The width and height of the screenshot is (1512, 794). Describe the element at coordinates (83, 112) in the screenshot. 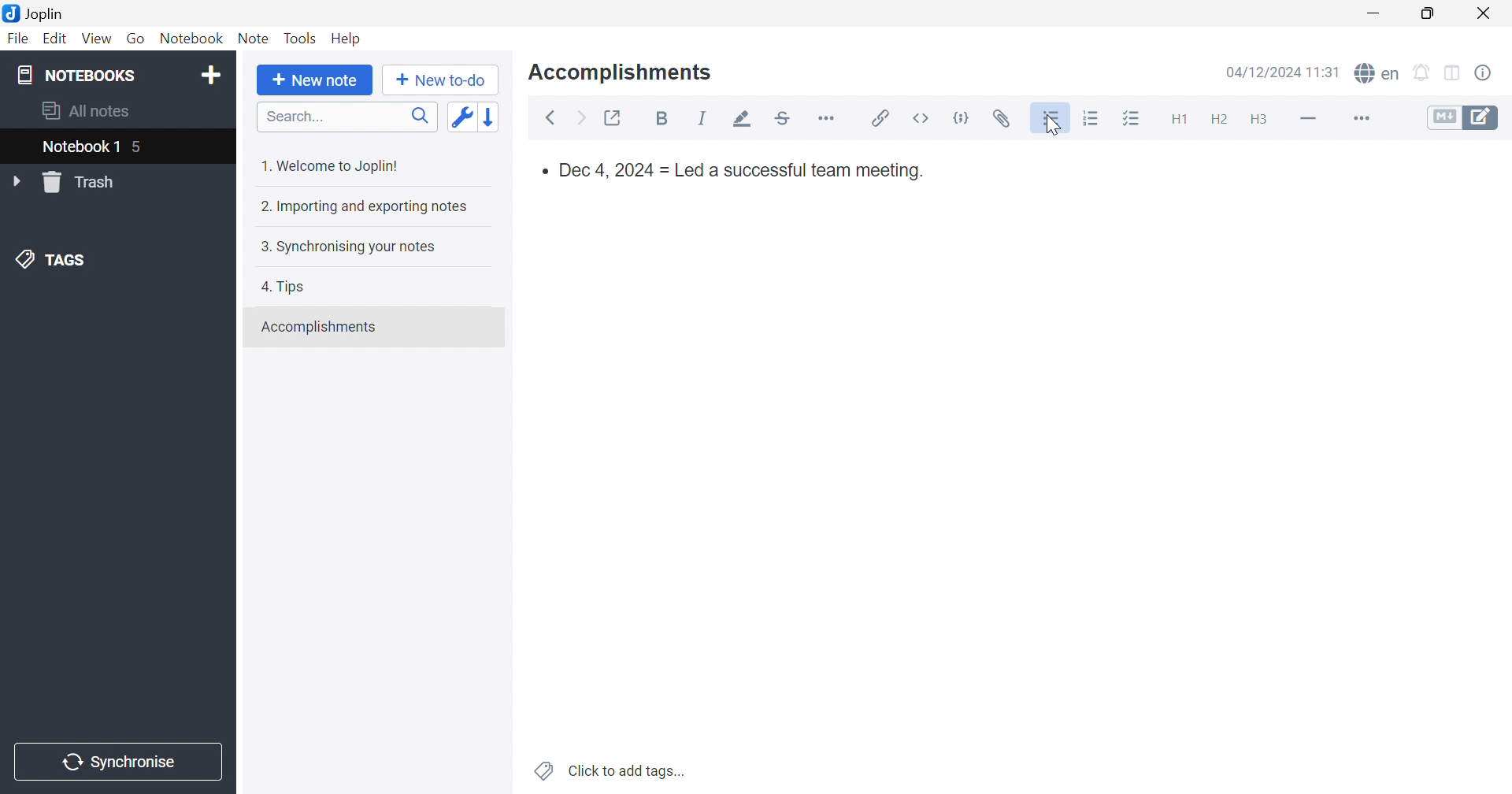

I see `All notes` at that location.